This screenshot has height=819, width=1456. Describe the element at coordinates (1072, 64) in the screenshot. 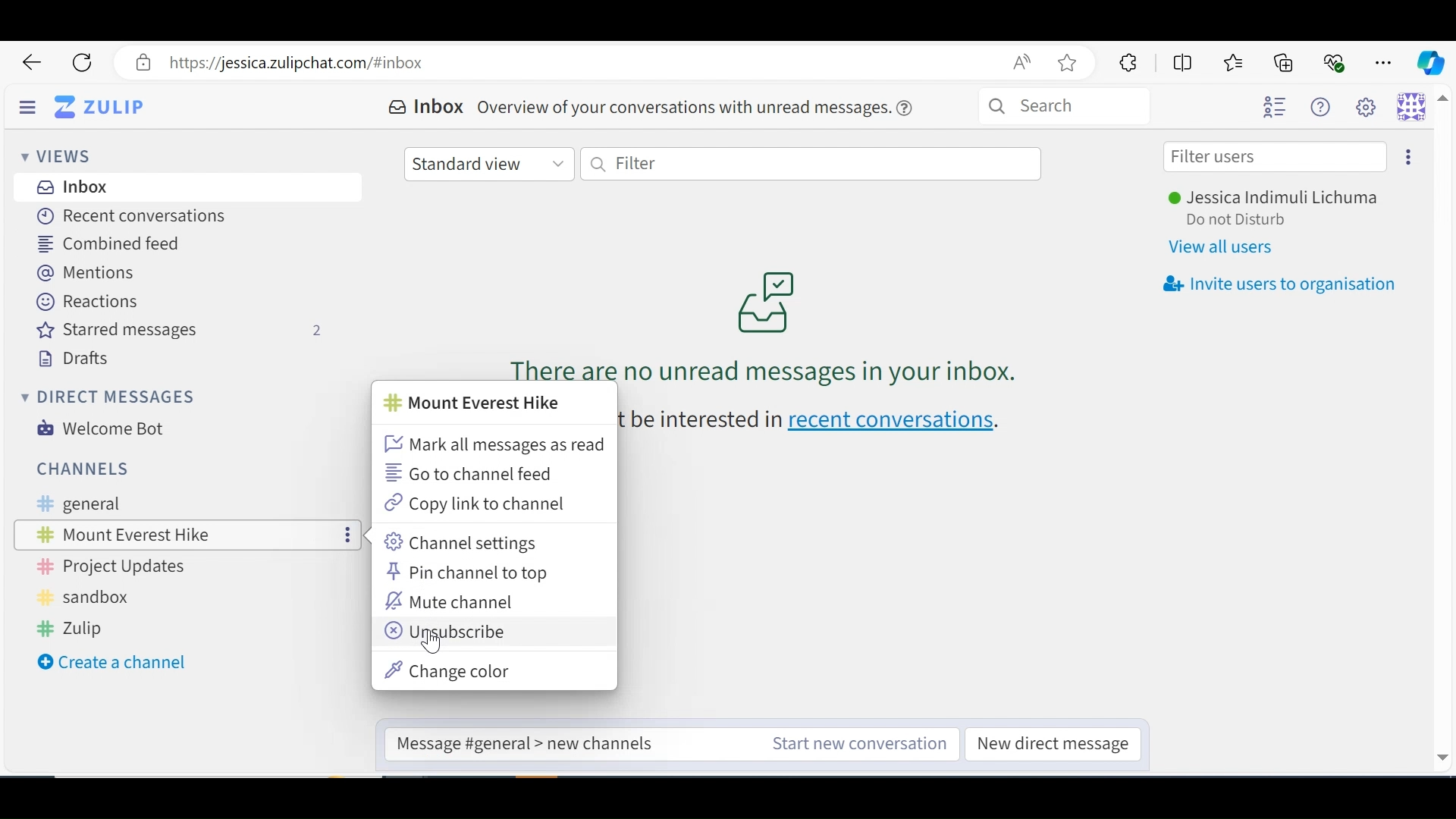

I see `Bookmark this page` at that location.